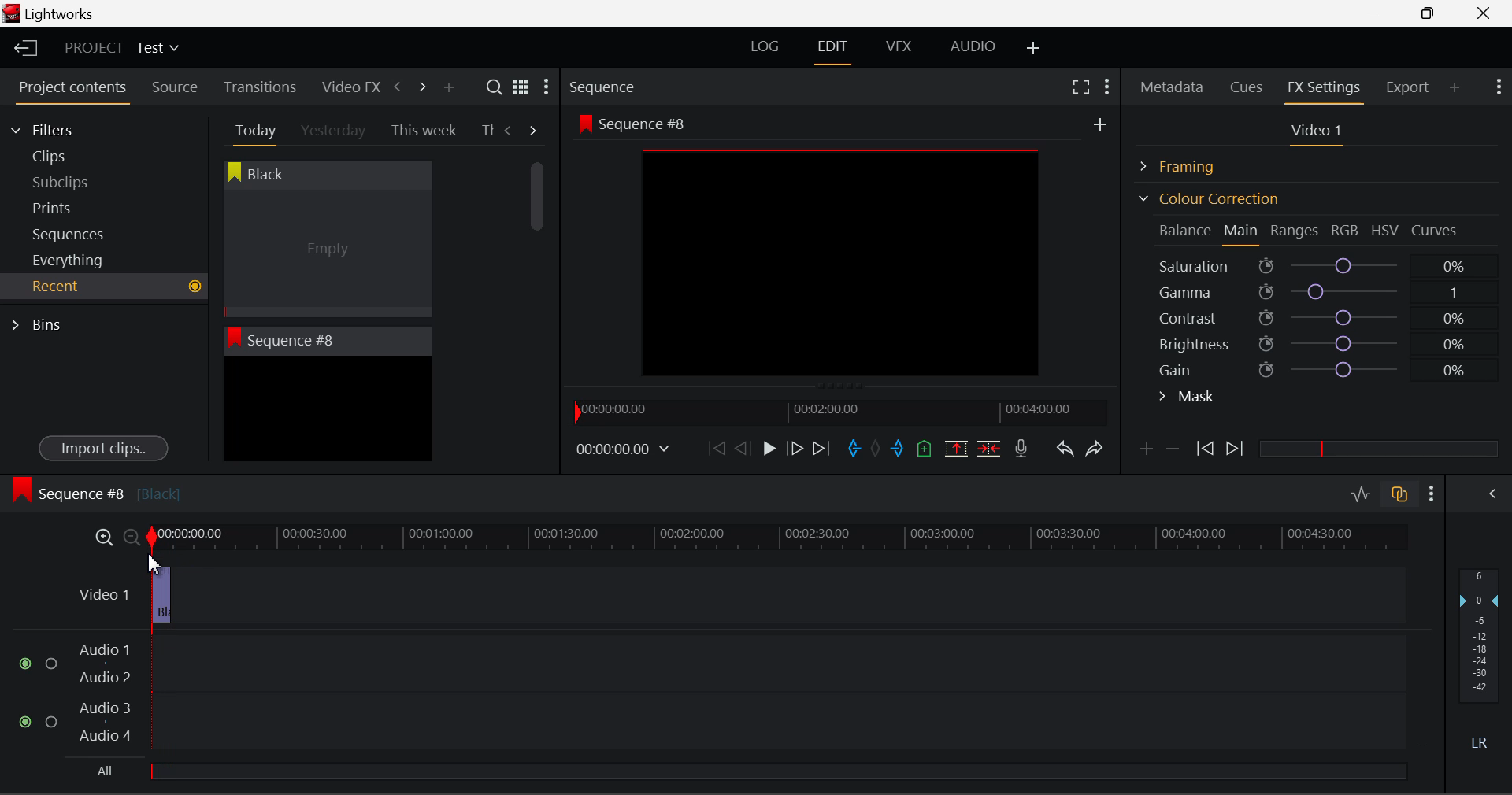 The image size is (1512, 795). What do you see at coordinates (160, 596) in the screenshot?
I see `Clip 1 Segment` at bounding box center [160, 596].